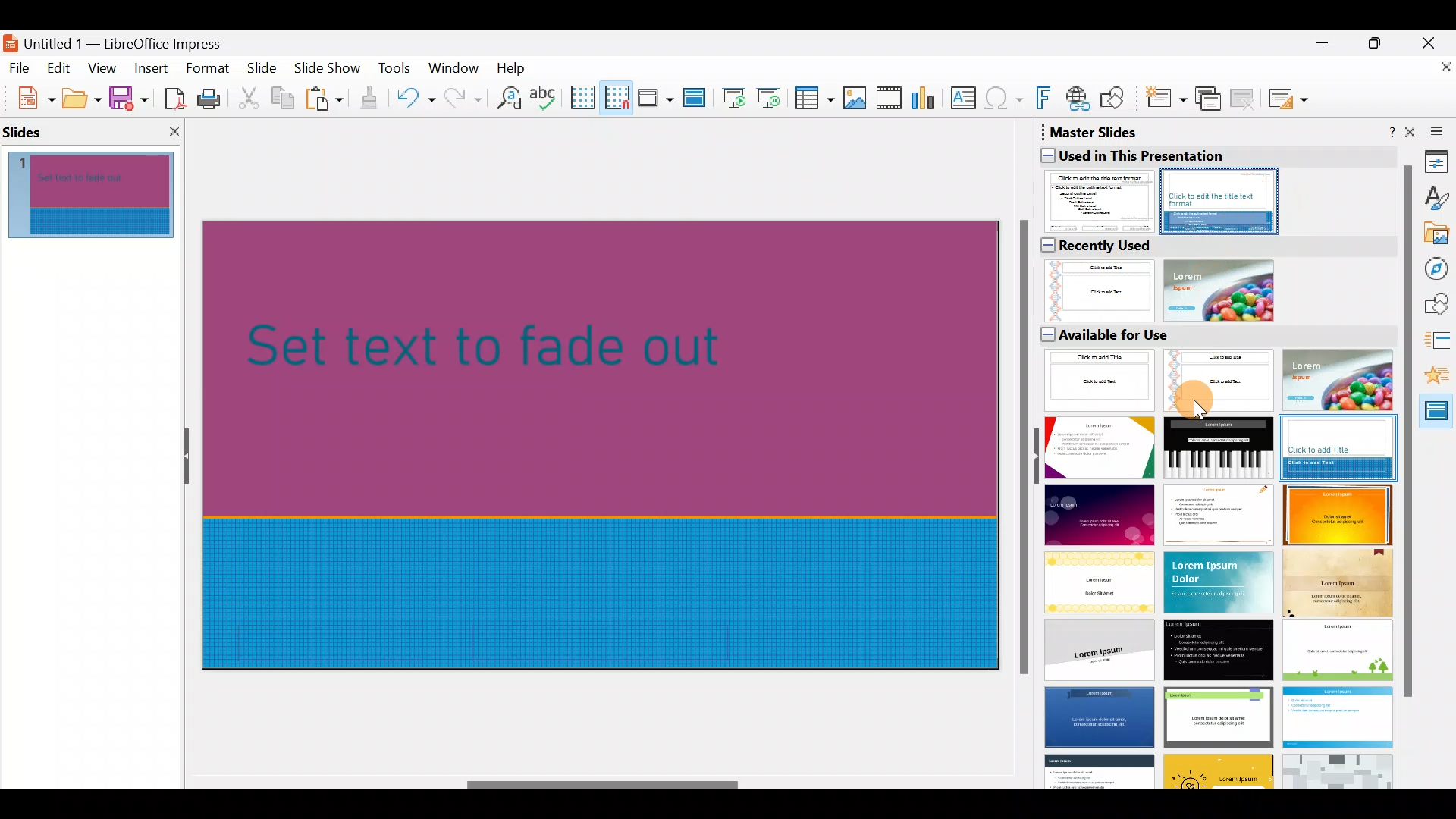 The width and height of the screenshot is (1456, 819). Describe the element at coordinates (264, 69) in the screenshot. I see `Slide` at that location.